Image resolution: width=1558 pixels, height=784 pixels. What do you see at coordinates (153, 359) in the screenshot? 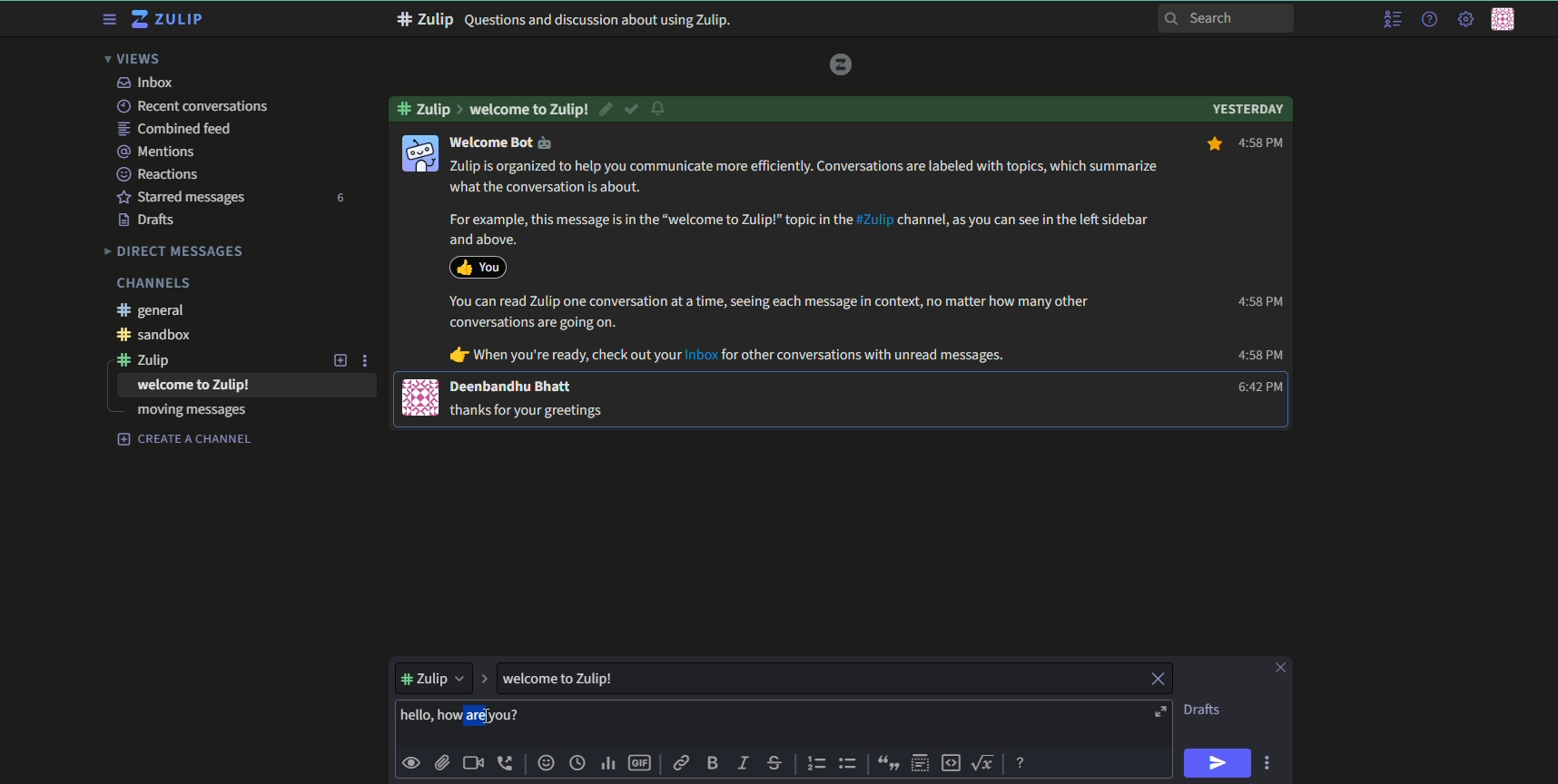
I see `#zulip` at bounding box center [153, 359].